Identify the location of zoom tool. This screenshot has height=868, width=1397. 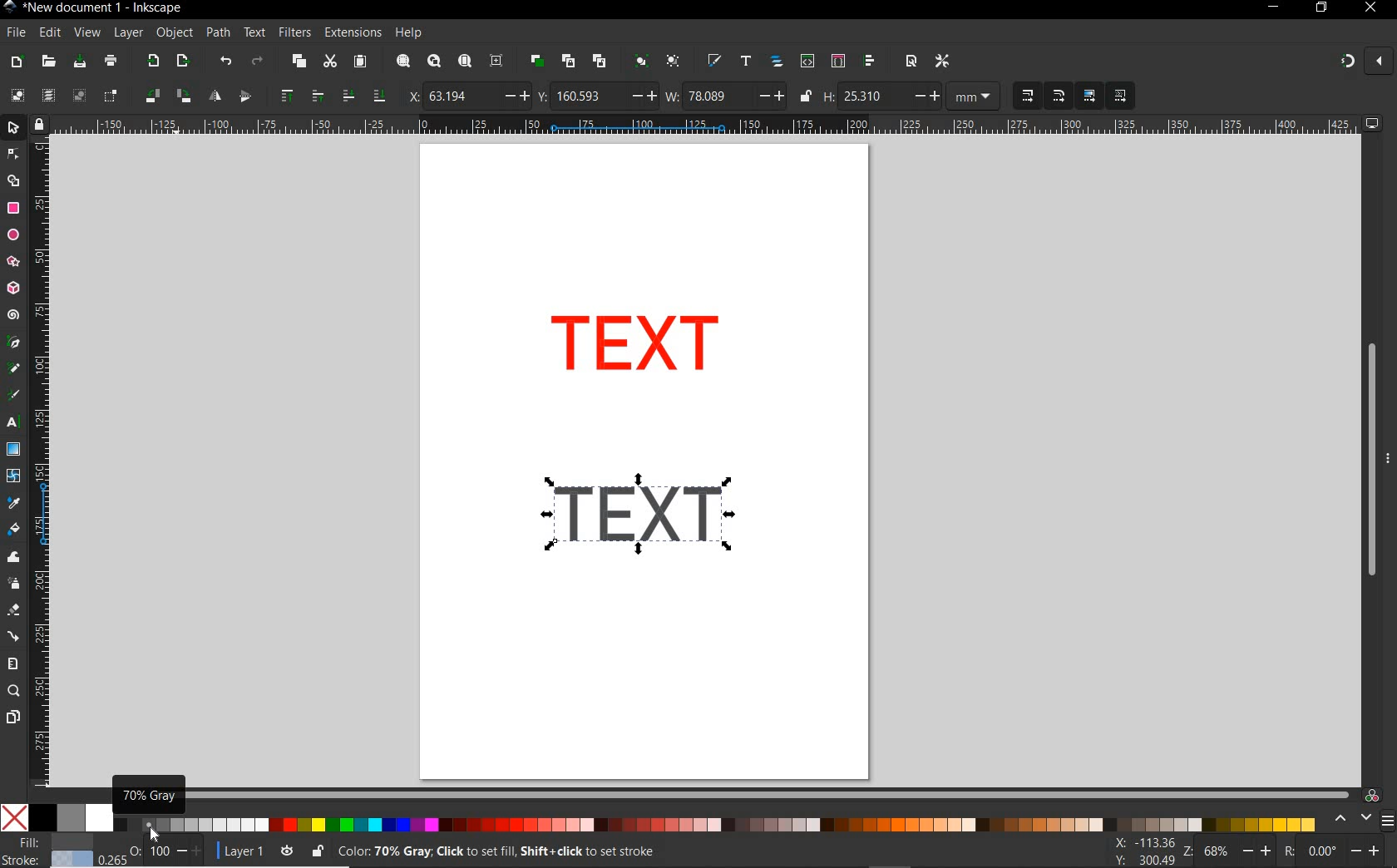
(13, 692).